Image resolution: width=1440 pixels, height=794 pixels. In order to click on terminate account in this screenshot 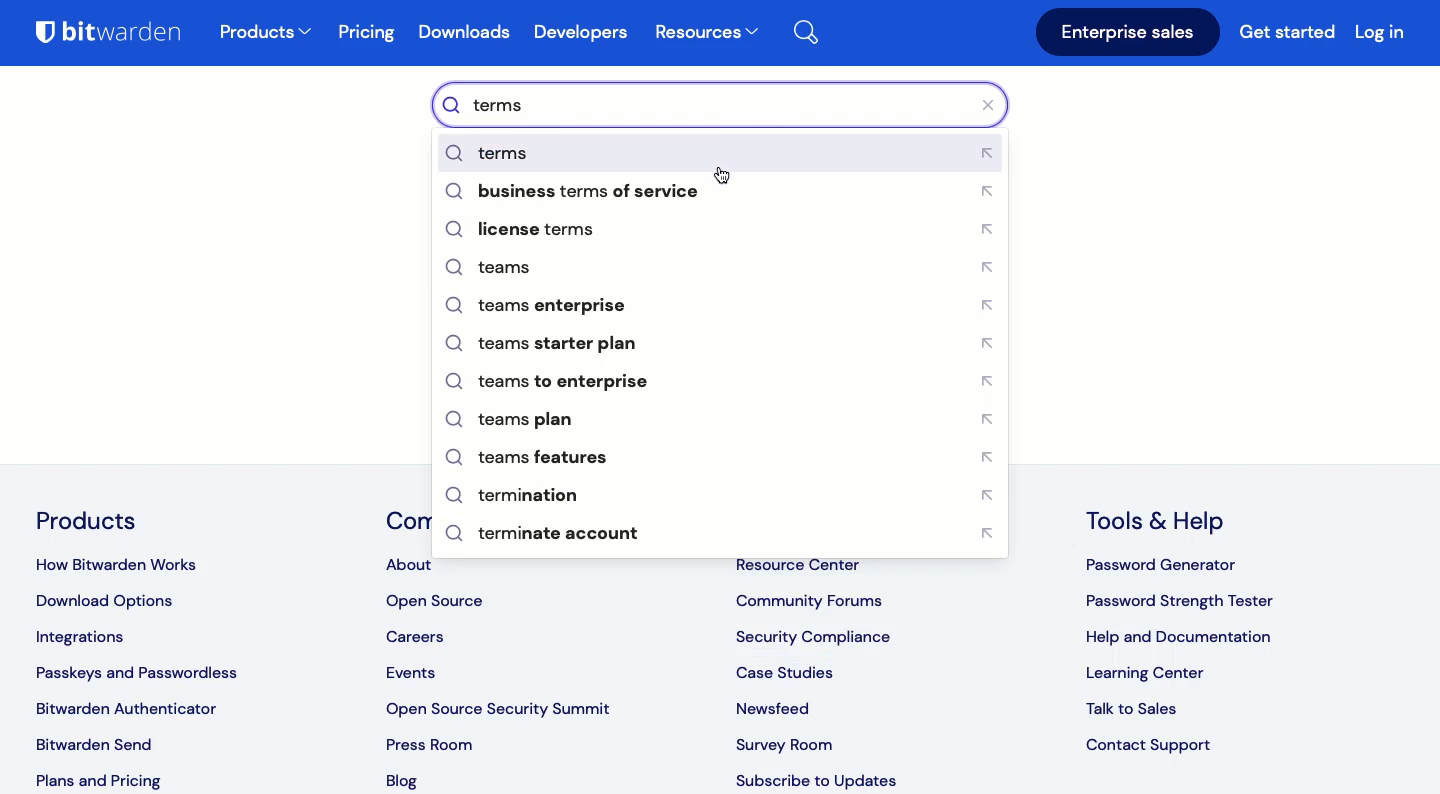, I will do `click(721, 534)`.